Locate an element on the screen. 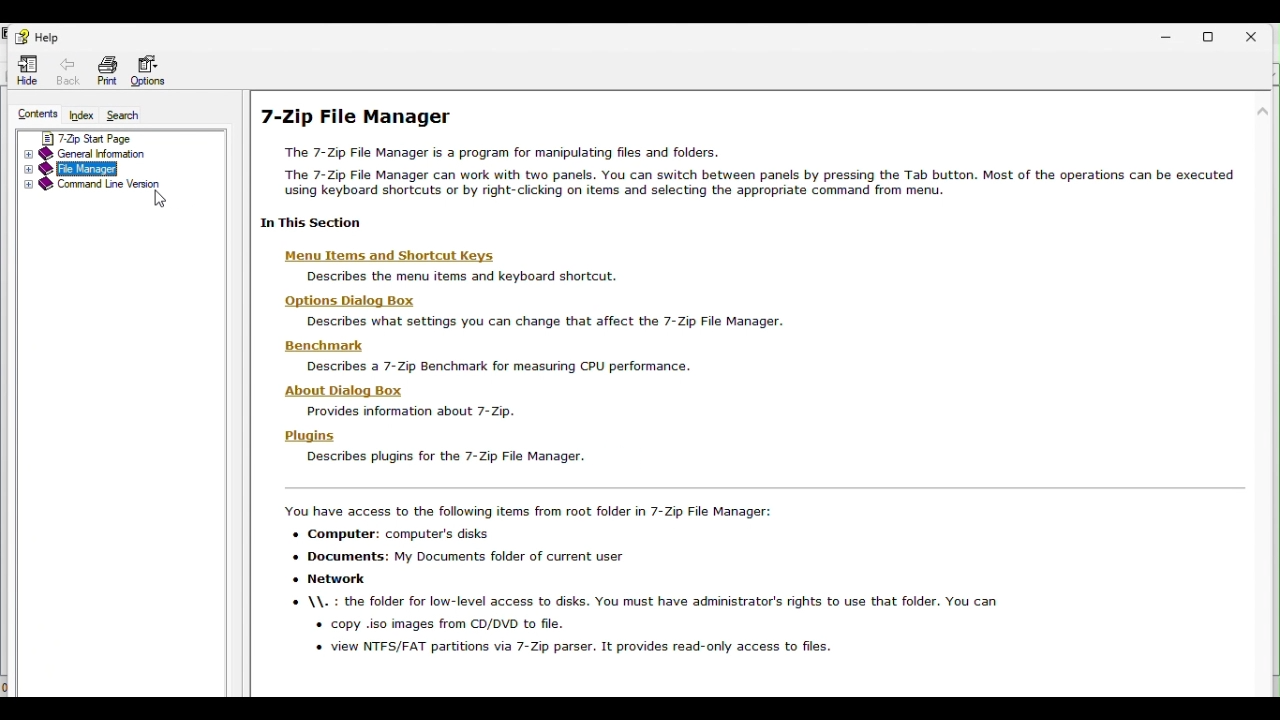  Hide is located at coordinates (27, 73).